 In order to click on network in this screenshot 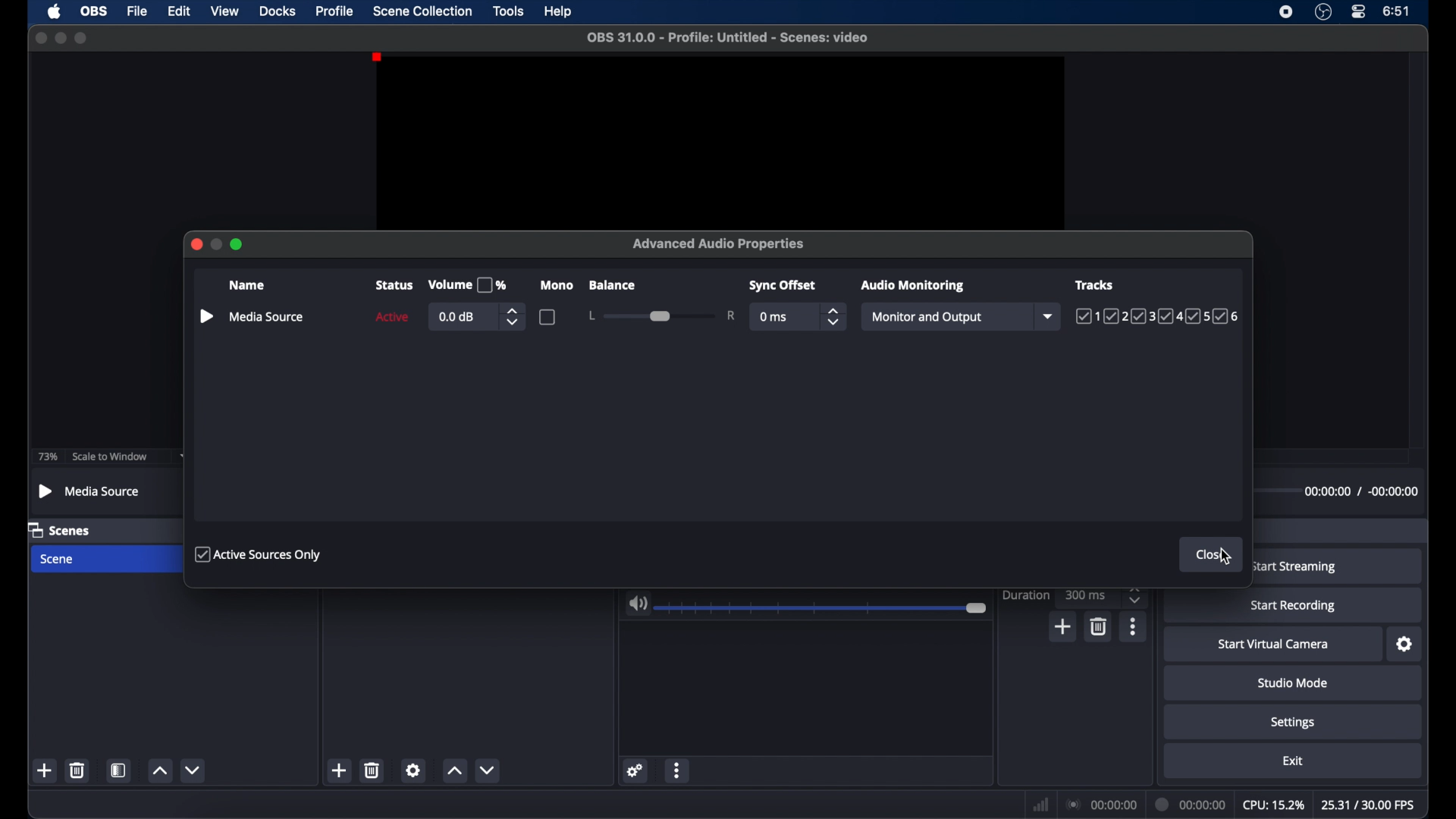, I will do `click(1041, 804)`.